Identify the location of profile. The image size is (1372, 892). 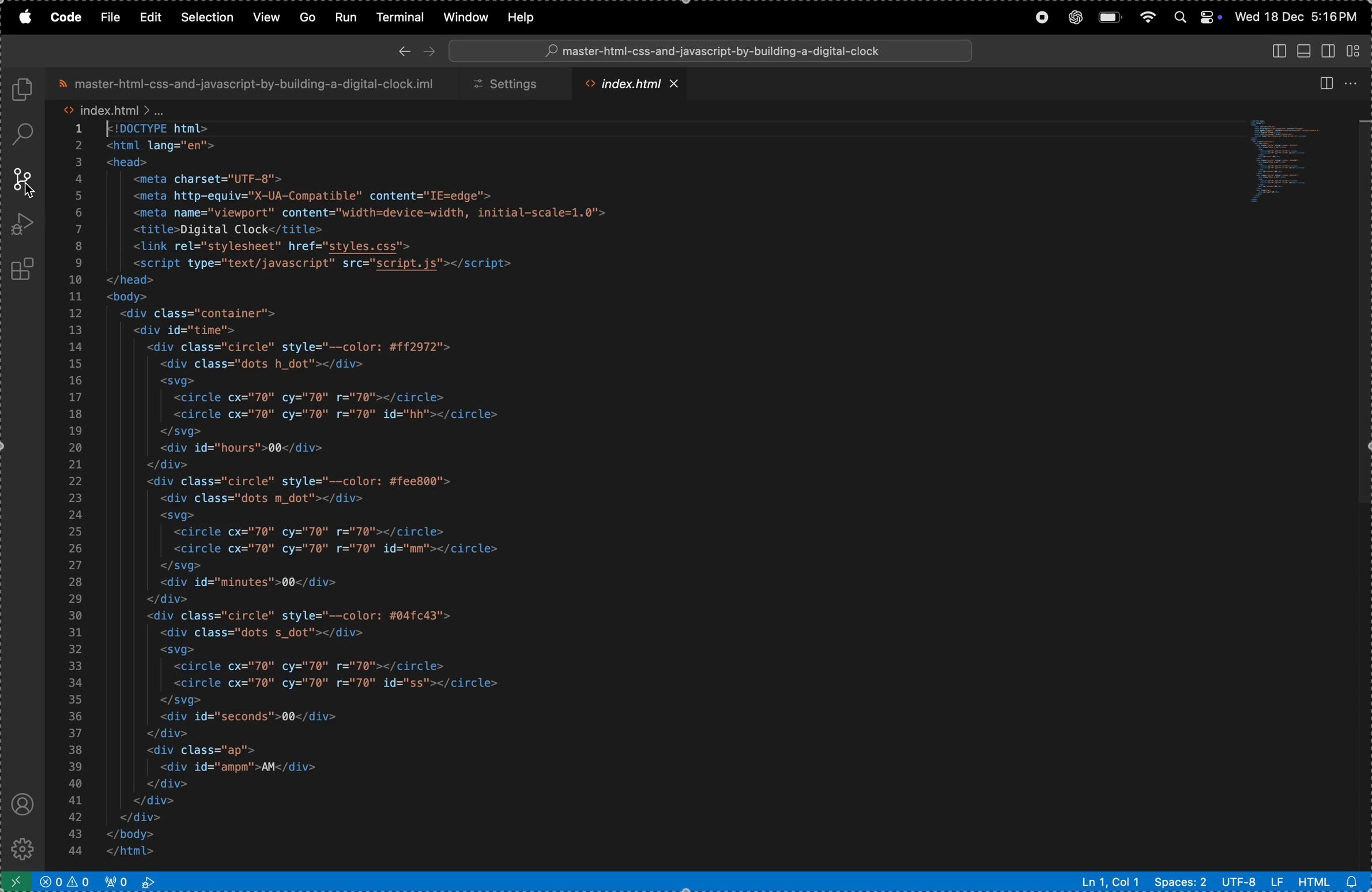
(20, 802).